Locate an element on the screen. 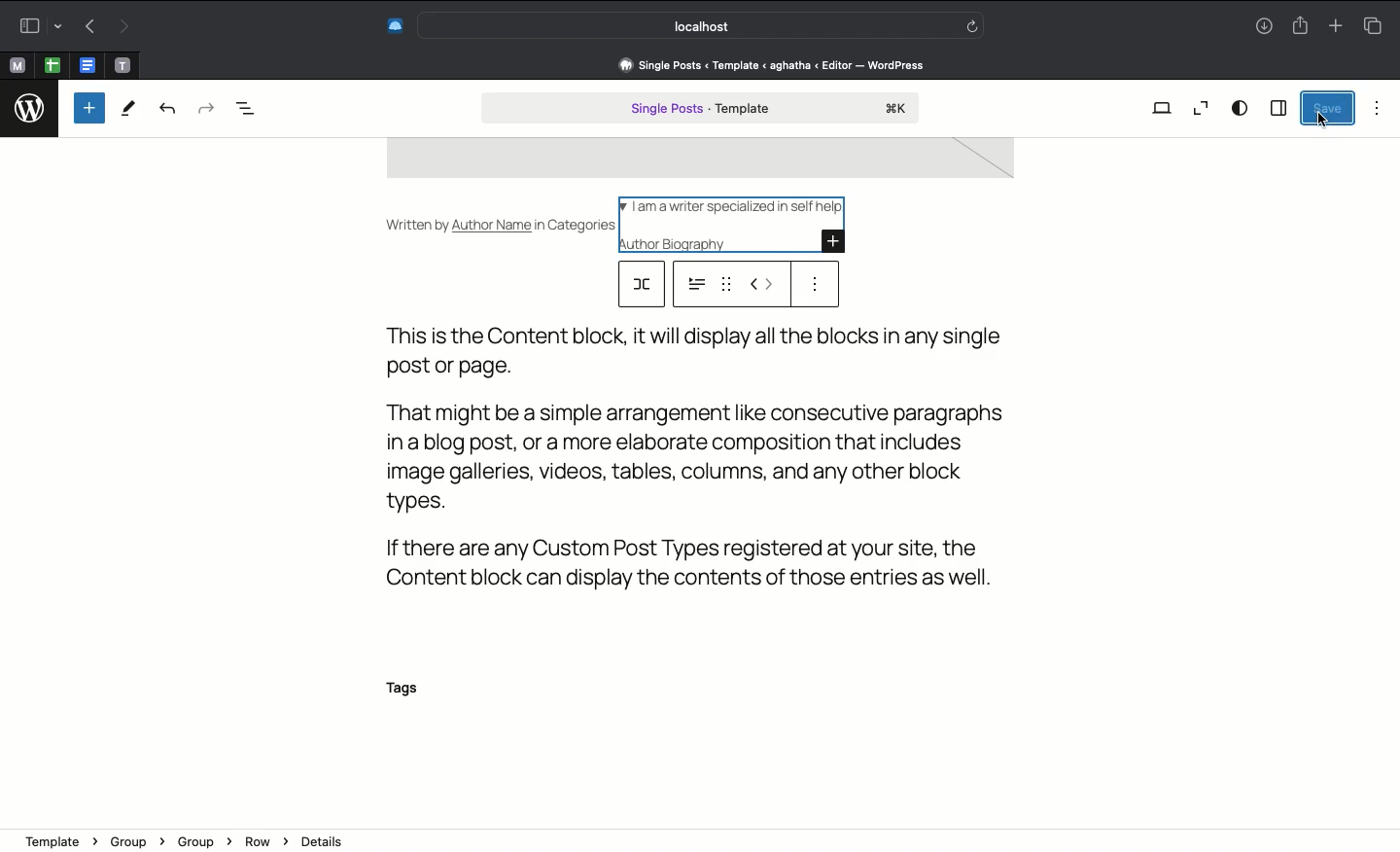 This screenshot has width=1400, height=852. Tabs is located at coordinates (1372, 25).